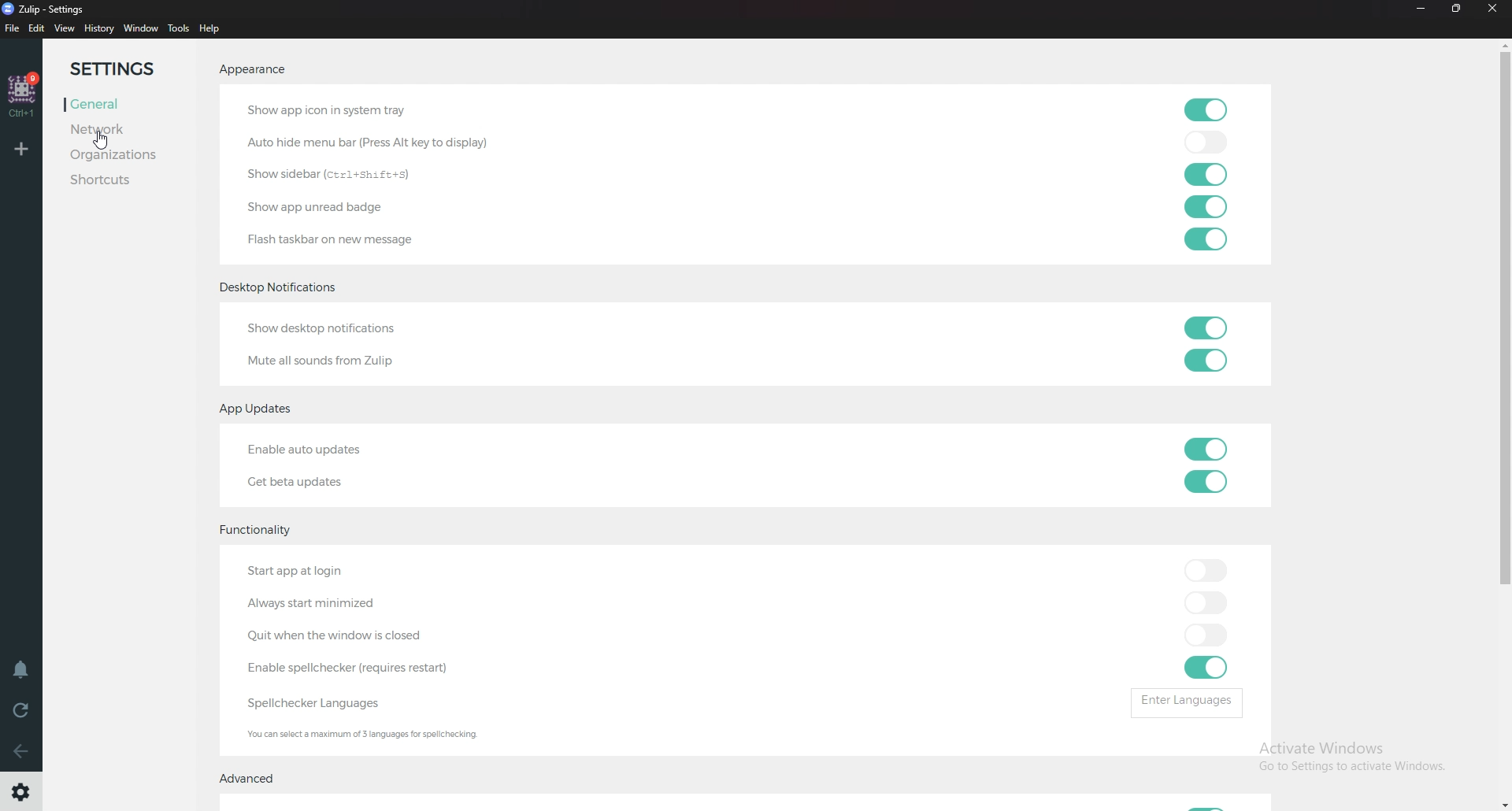 The height and width of the screenshot is (811, 1512). What do you see at coordinates (1203, 330) in the screenshot?
I see `toggle` at bounding box center [1203, 330].